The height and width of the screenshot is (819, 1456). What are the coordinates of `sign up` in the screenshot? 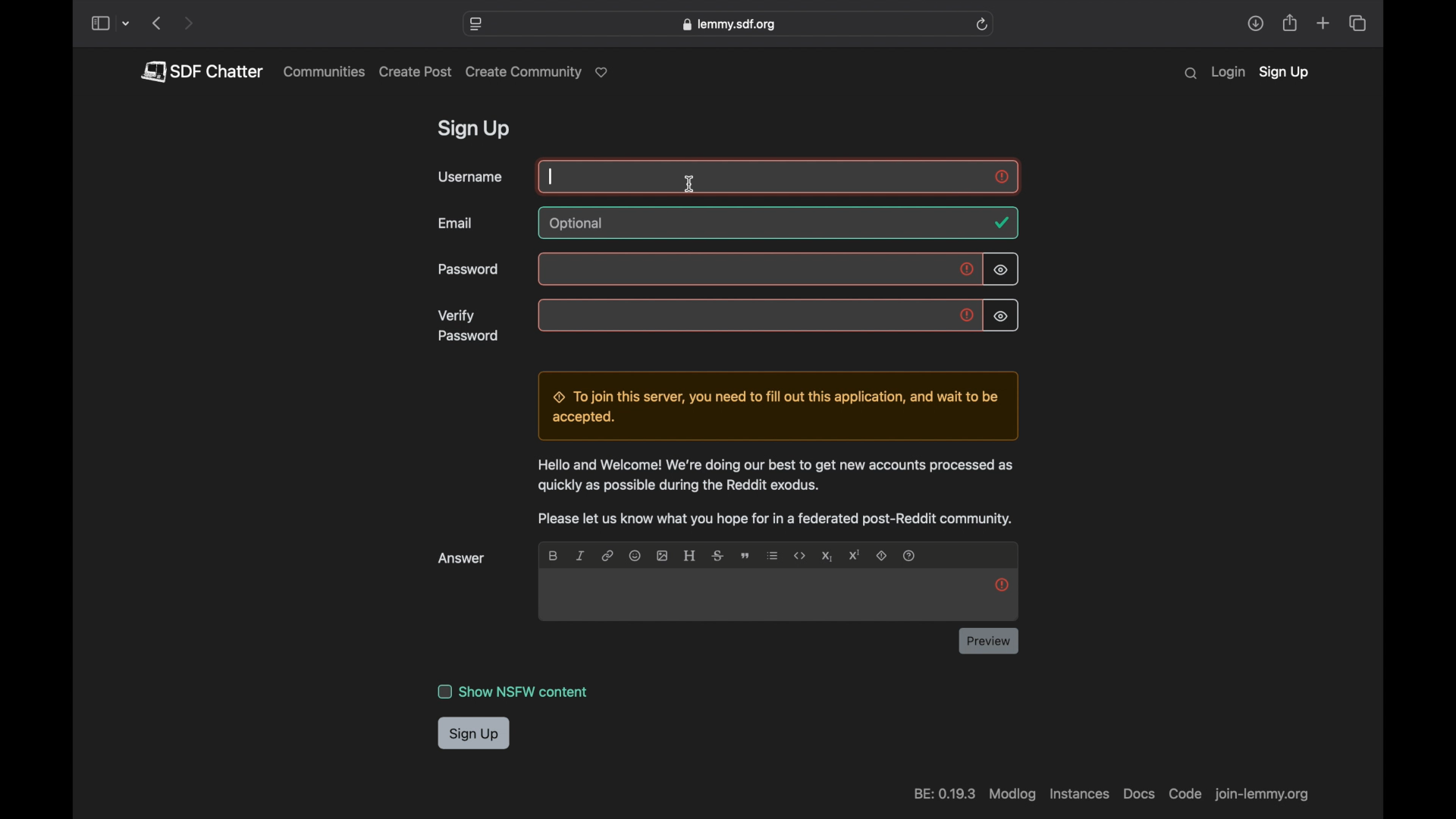 It's located at (476, 130).